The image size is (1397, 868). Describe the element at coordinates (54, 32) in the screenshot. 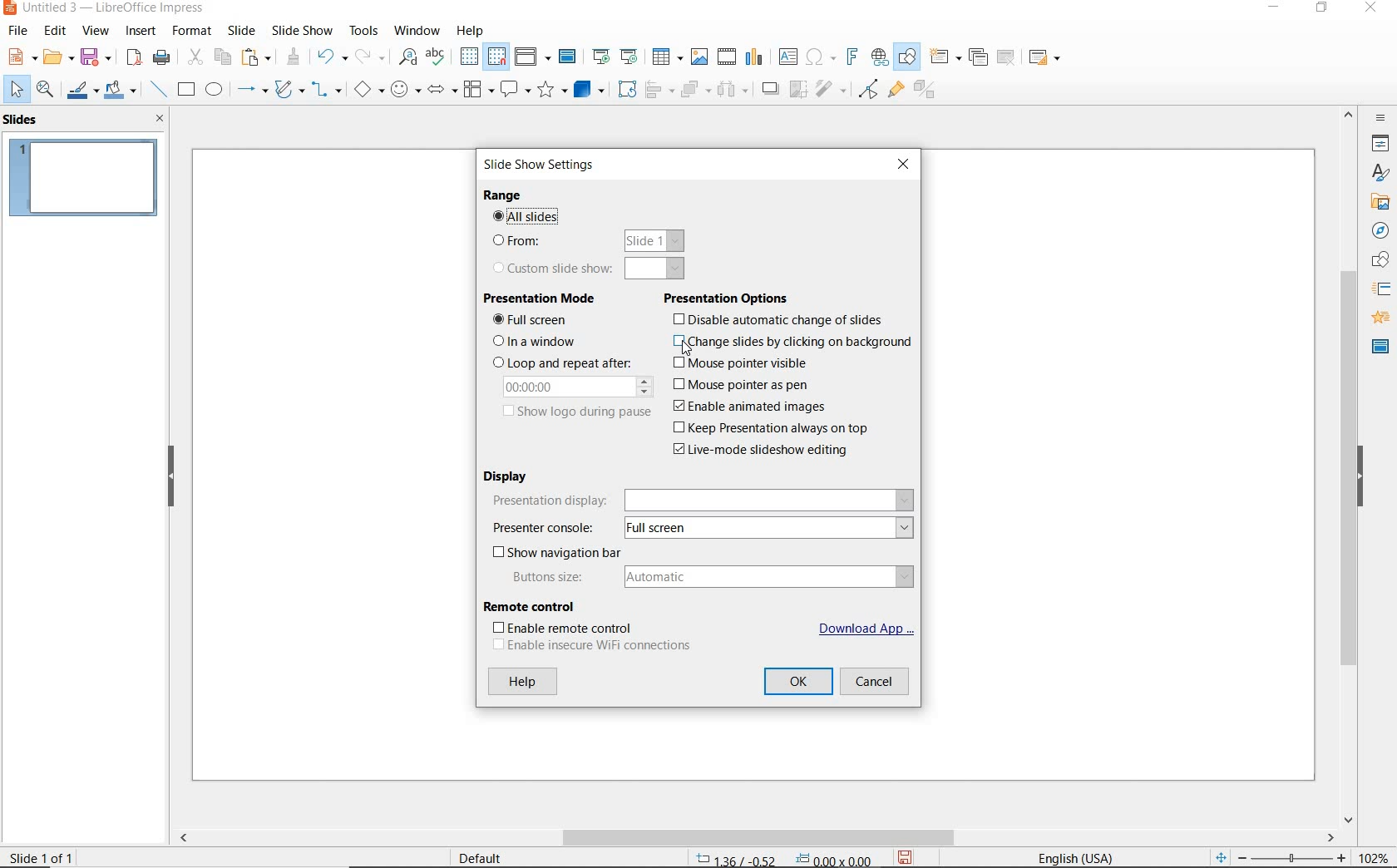

I see `EDIT` at that location.